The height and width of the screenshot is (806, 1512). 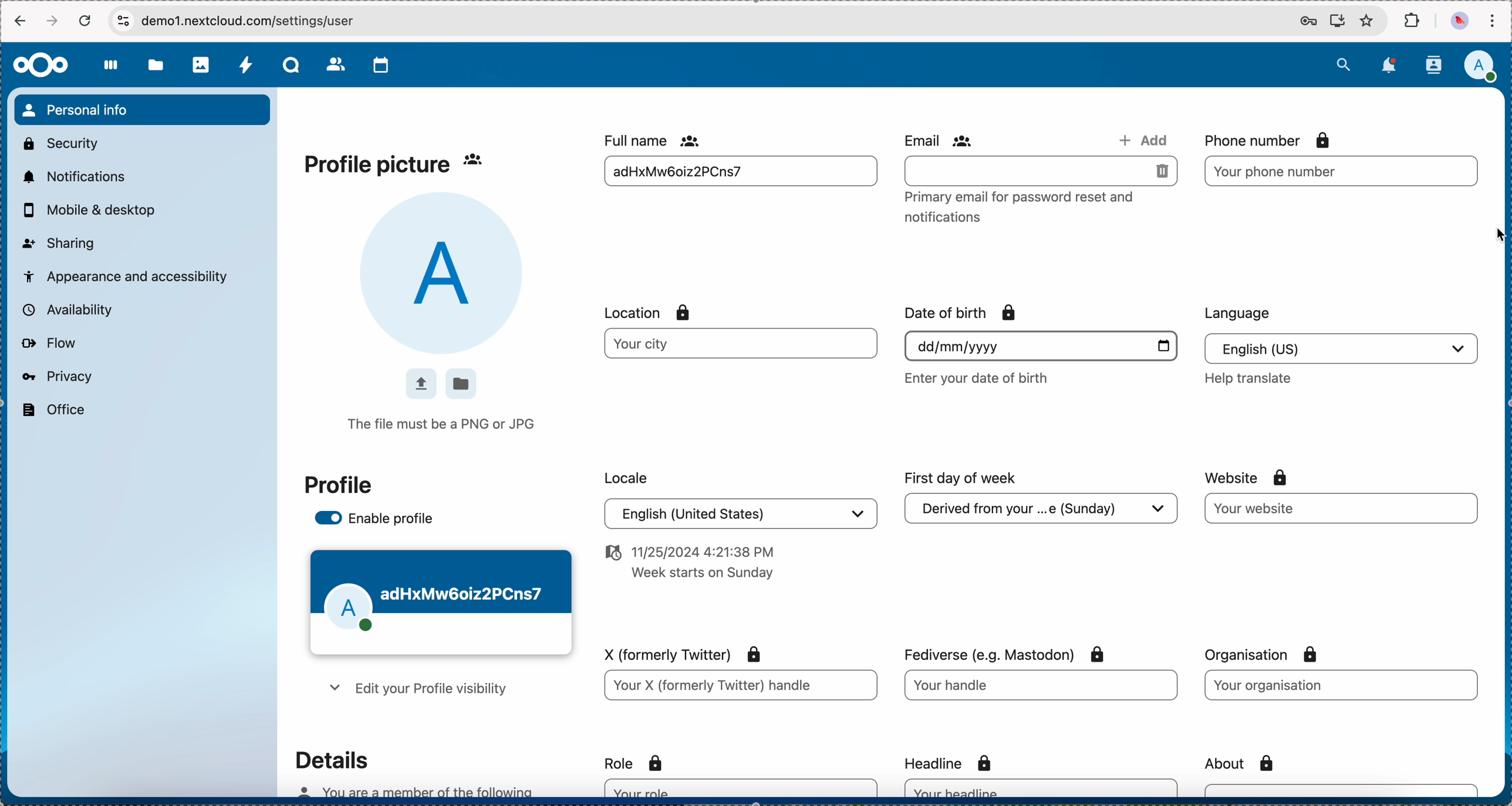 I want to click on name, so click(x=737, y=173).